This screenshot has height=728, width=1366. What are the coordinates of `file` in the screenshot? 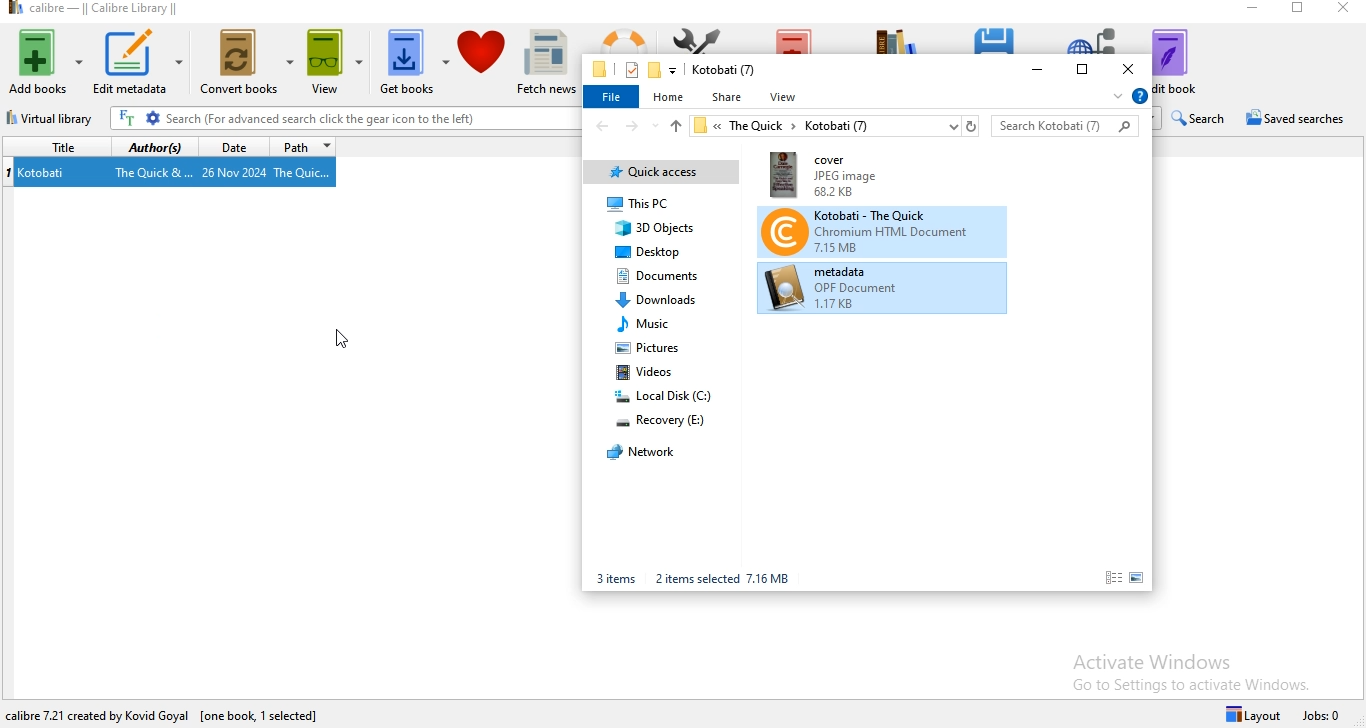 It's located at (613, 98).